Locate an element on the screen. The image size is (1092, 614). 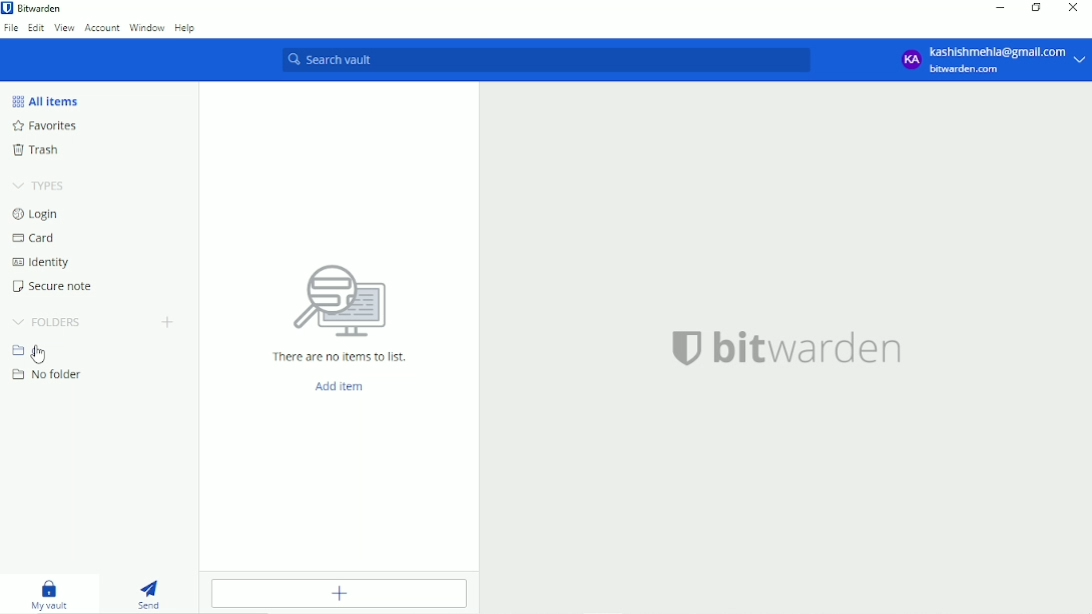
Close is located at coordinates (1074, 8).